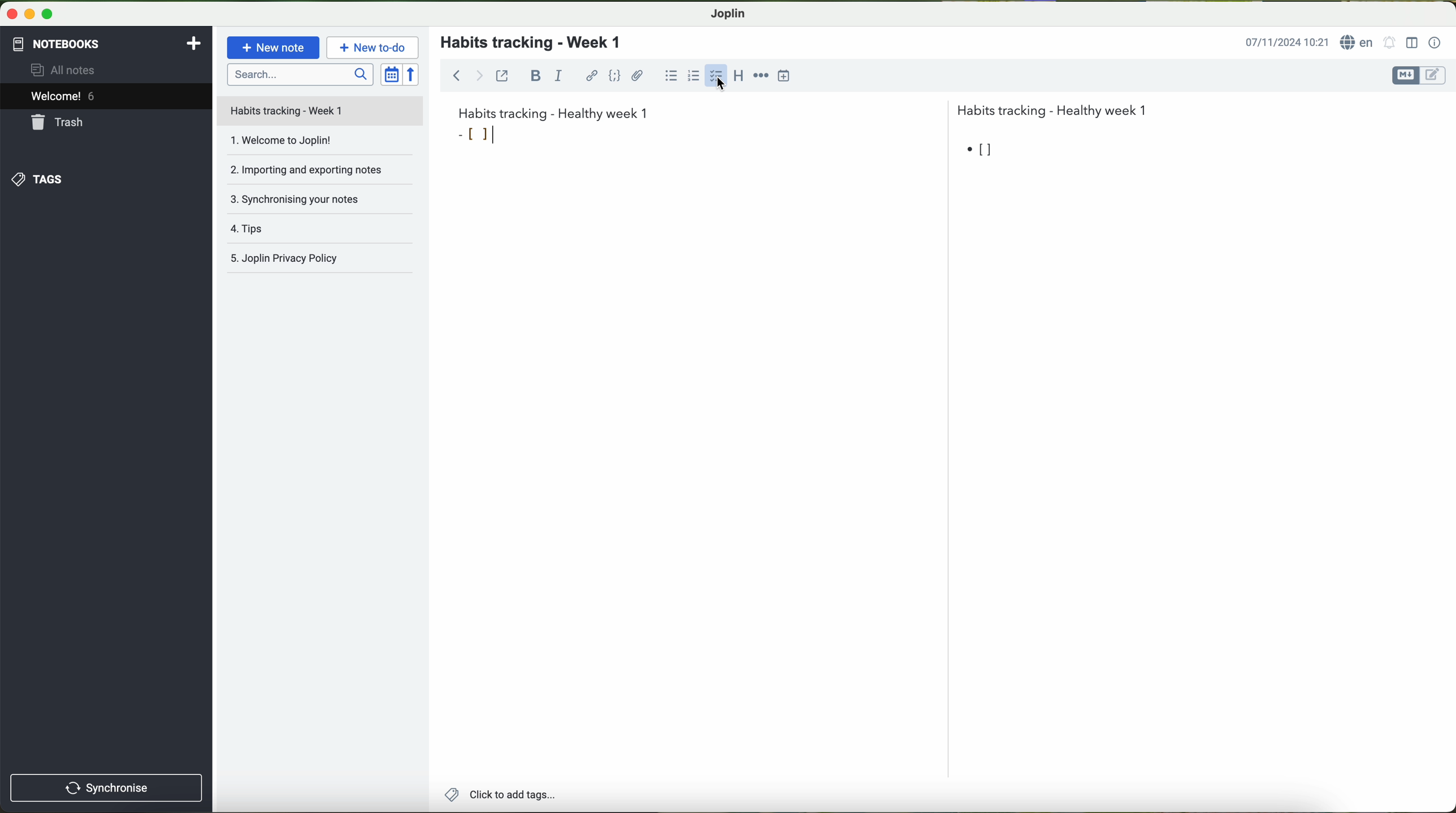 This screenshot has width=1456, height=813. What do you see at coordinates (38, 180) in the screenshot?
I see `tags` at bounding box center [38, 180].